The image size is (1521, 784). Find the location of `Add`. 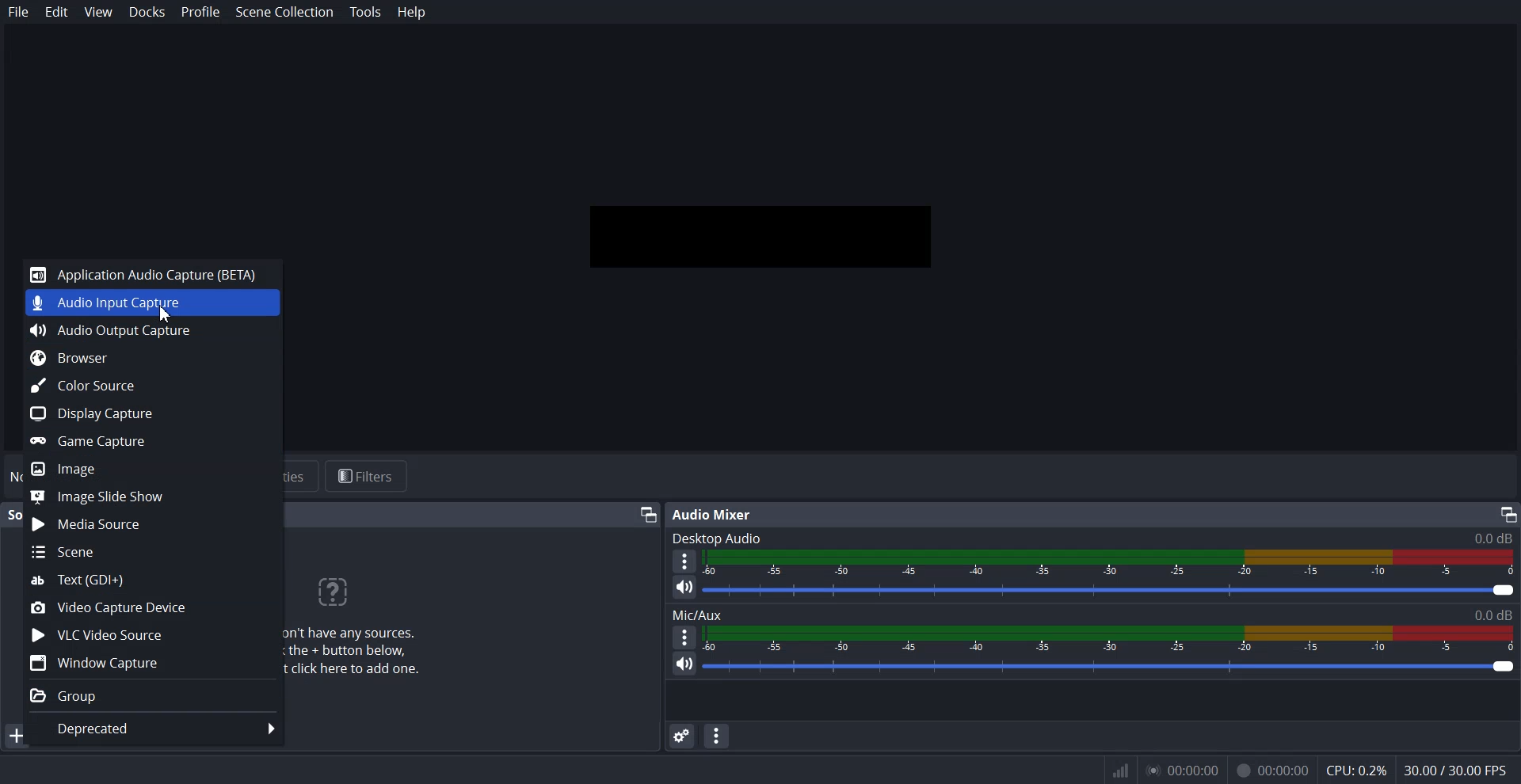

Add is located at coordinates (11, 738).